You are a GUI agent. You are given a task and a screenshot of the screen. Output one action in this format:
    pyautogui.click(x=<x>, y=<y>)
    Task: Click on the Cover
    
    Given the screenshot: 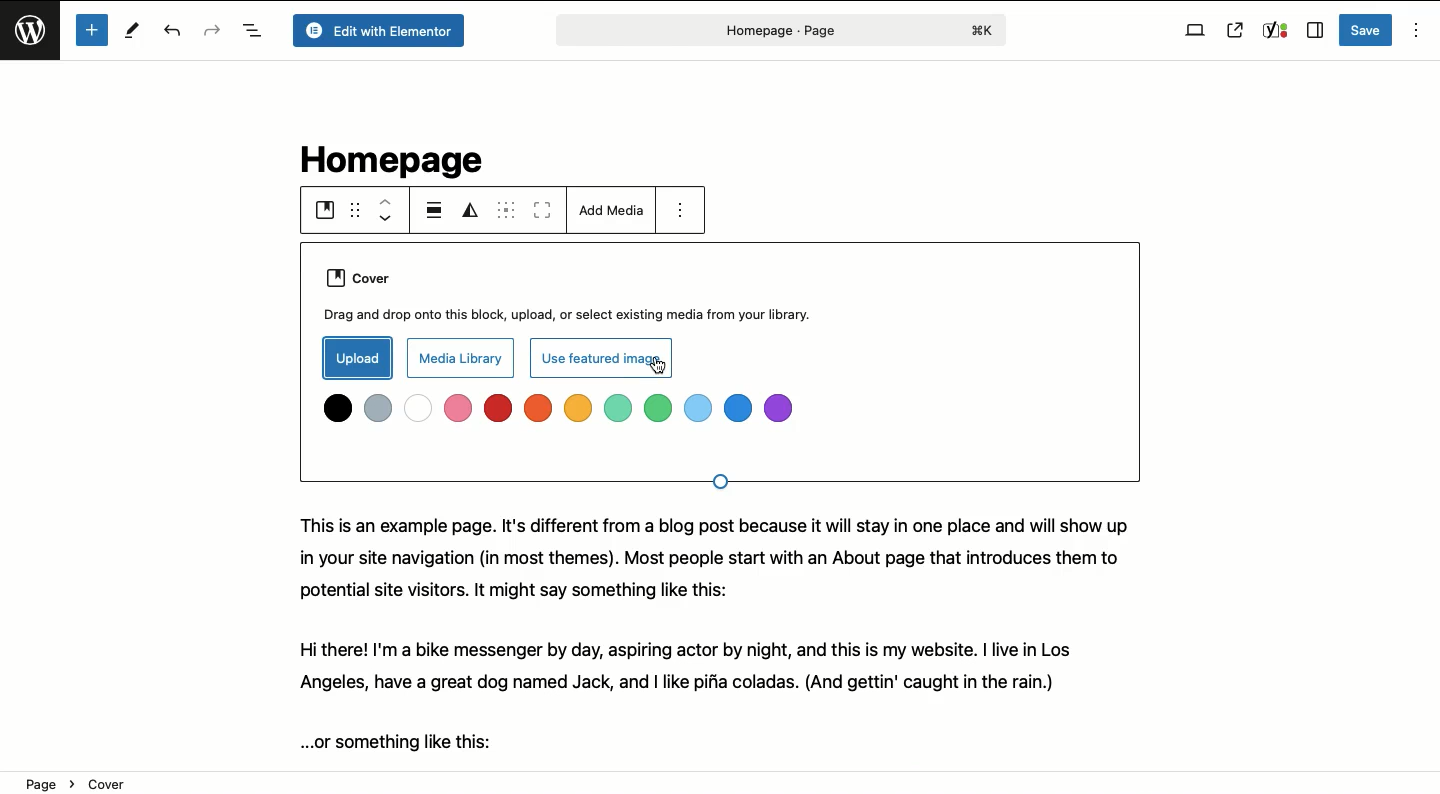 What is the action you would take?
    pyautogui.click(x=355, y=277)
    